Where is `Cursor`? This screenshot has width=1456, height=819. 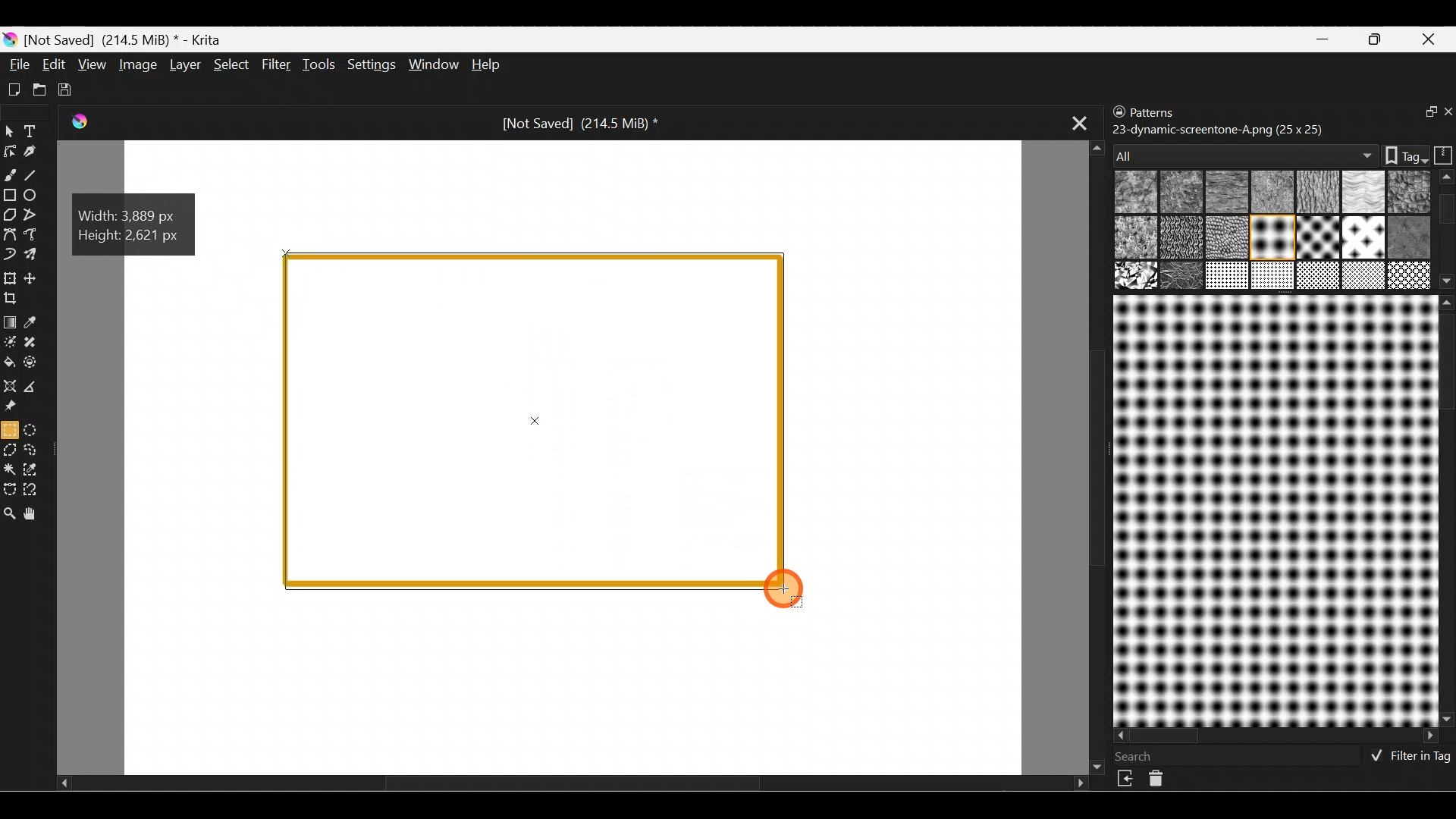
Cursor is located at coordinates (790, 591).